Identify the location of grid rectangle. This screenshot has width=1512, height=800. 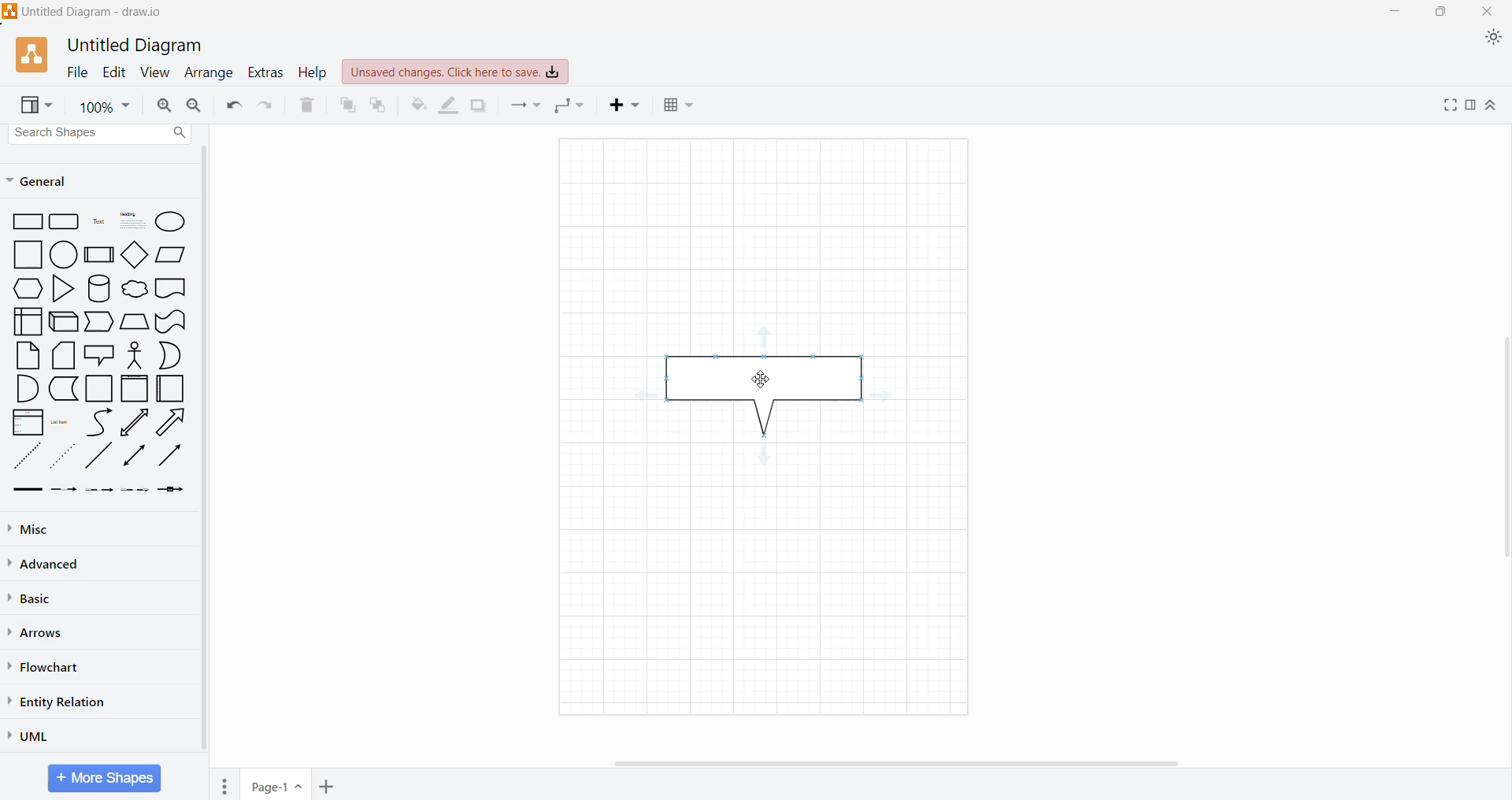
(65, 223).